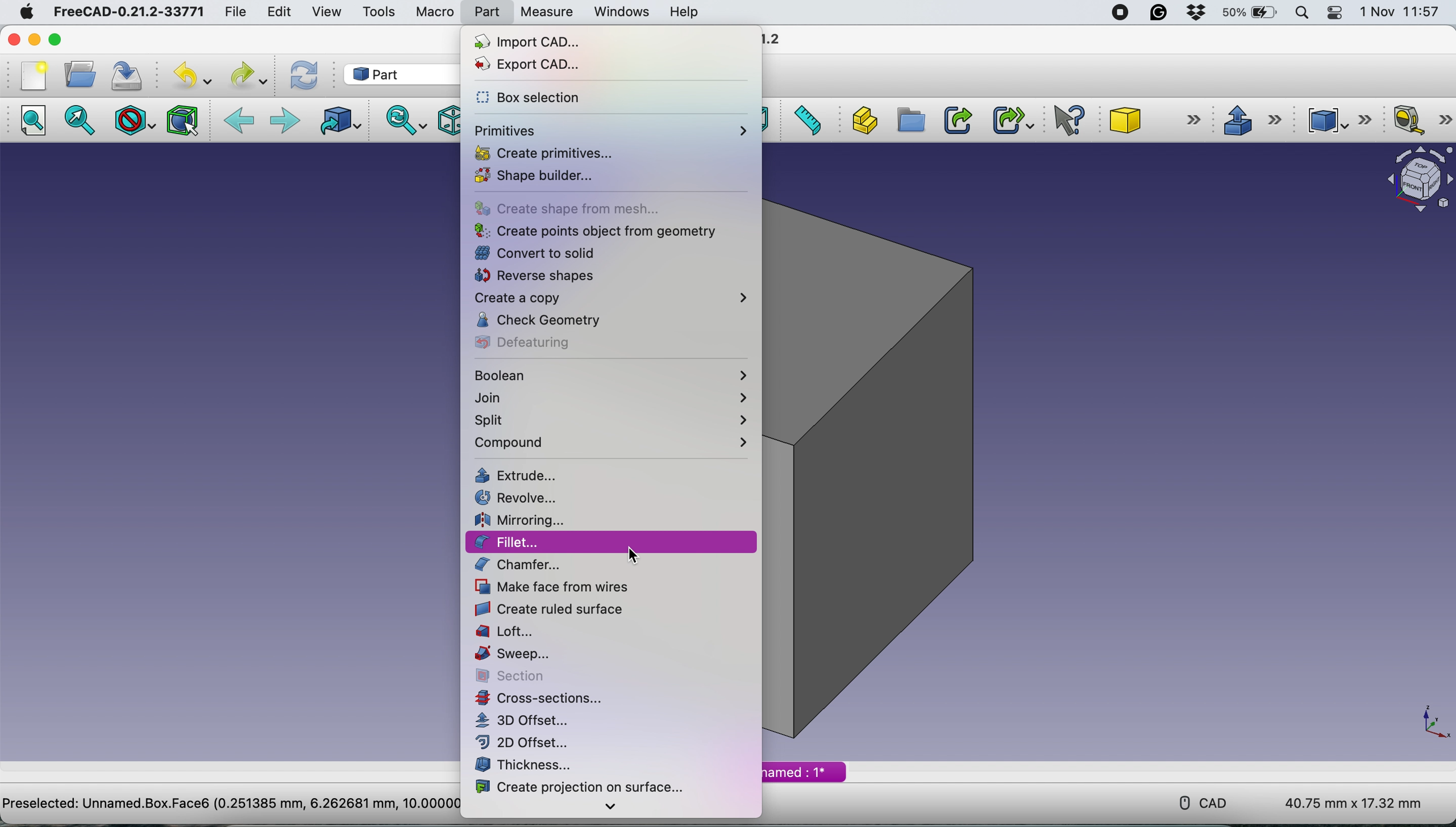 This screenshot has width=1456, height=827. What do you see at coordinates (529, 742) in the screenshot?
I see `2d offset` at bounding box center [529, 742].